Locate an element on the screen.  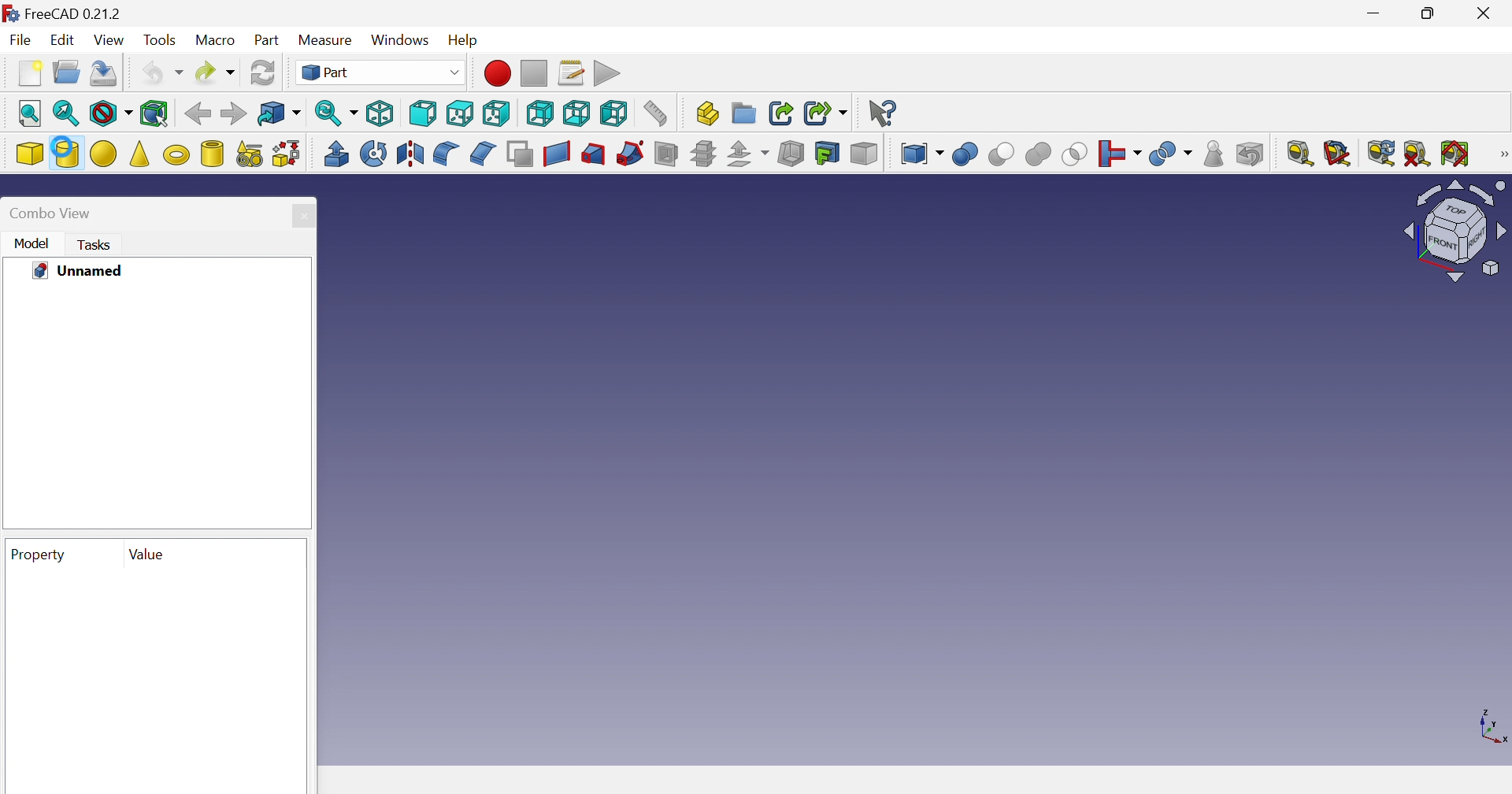
Combo view is located at coordinates (53, 213).